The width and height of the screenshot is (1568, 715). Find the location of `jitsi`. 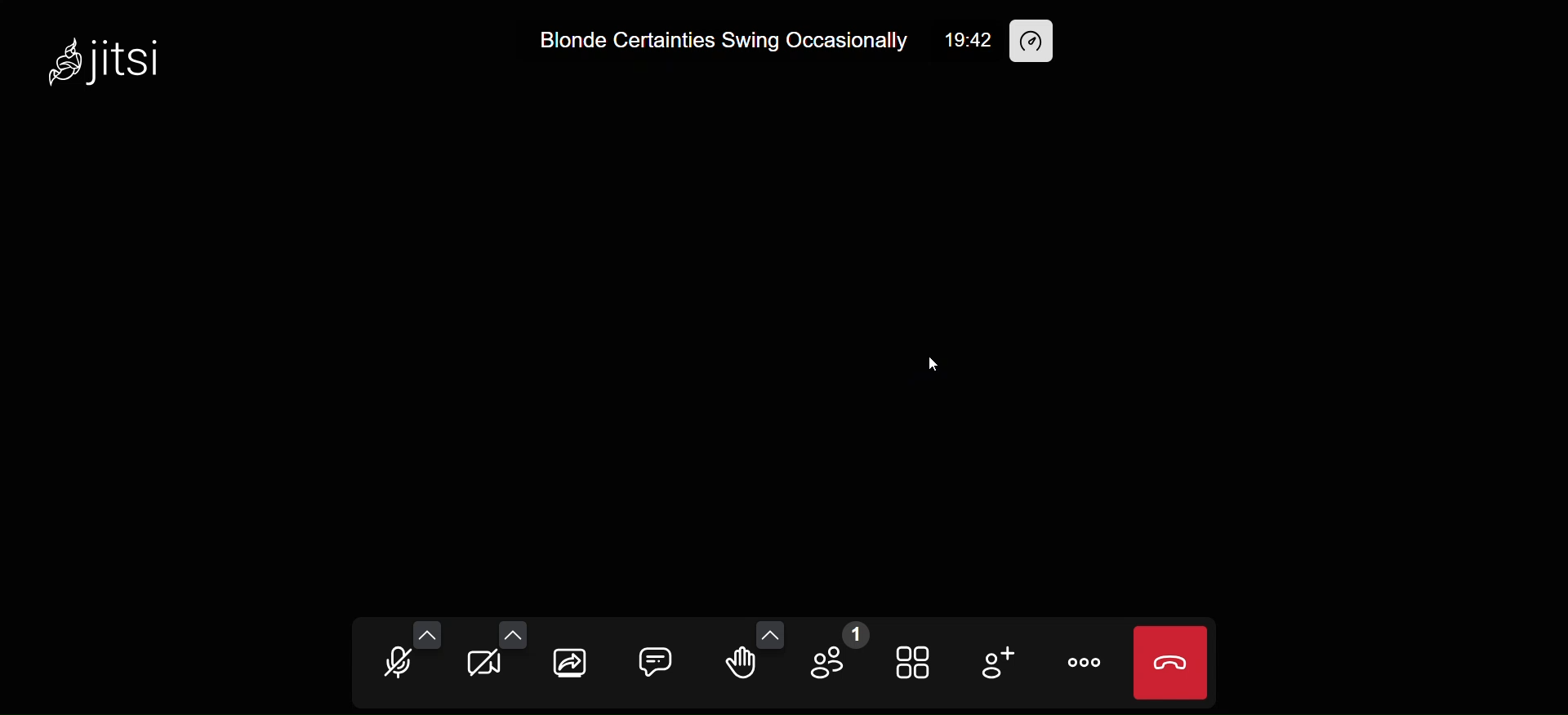

jitsi is located at coordinates (113, 61).